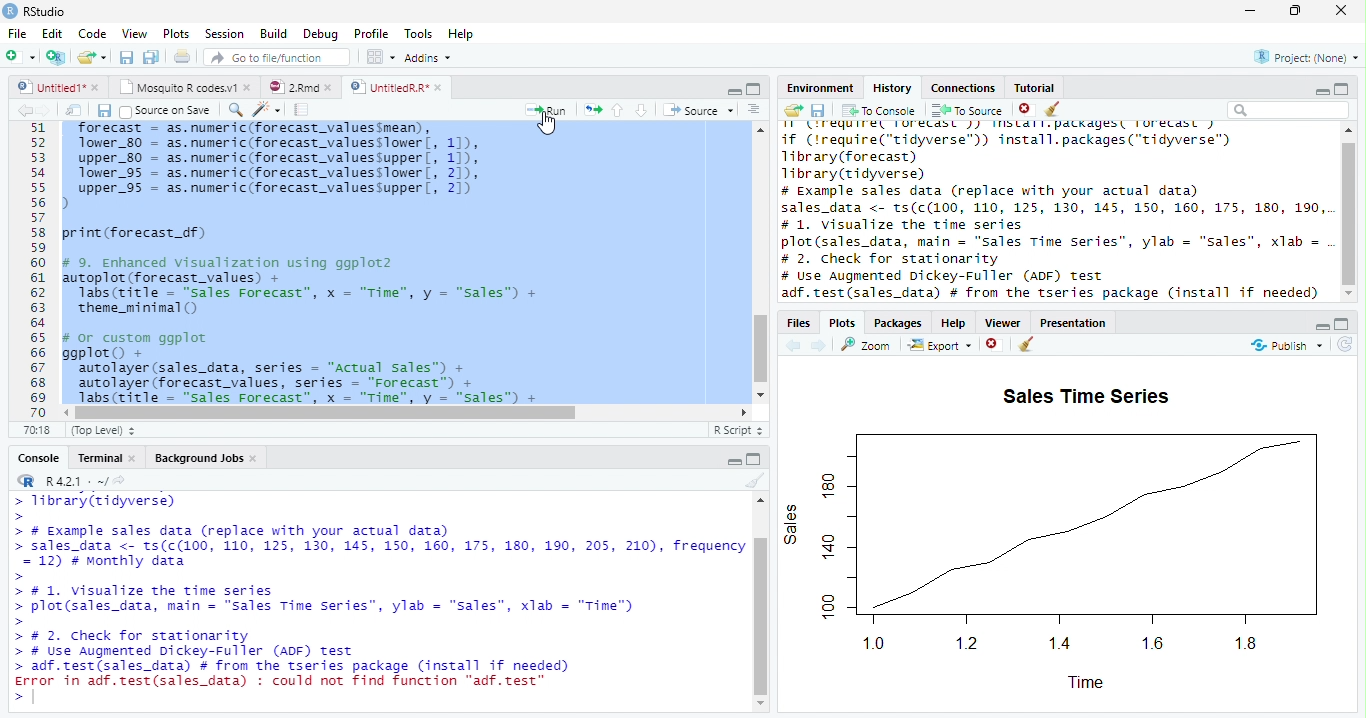 The height and width of the screenshot is (718, 1366). I want to click on View current directory, so click(121, 481).